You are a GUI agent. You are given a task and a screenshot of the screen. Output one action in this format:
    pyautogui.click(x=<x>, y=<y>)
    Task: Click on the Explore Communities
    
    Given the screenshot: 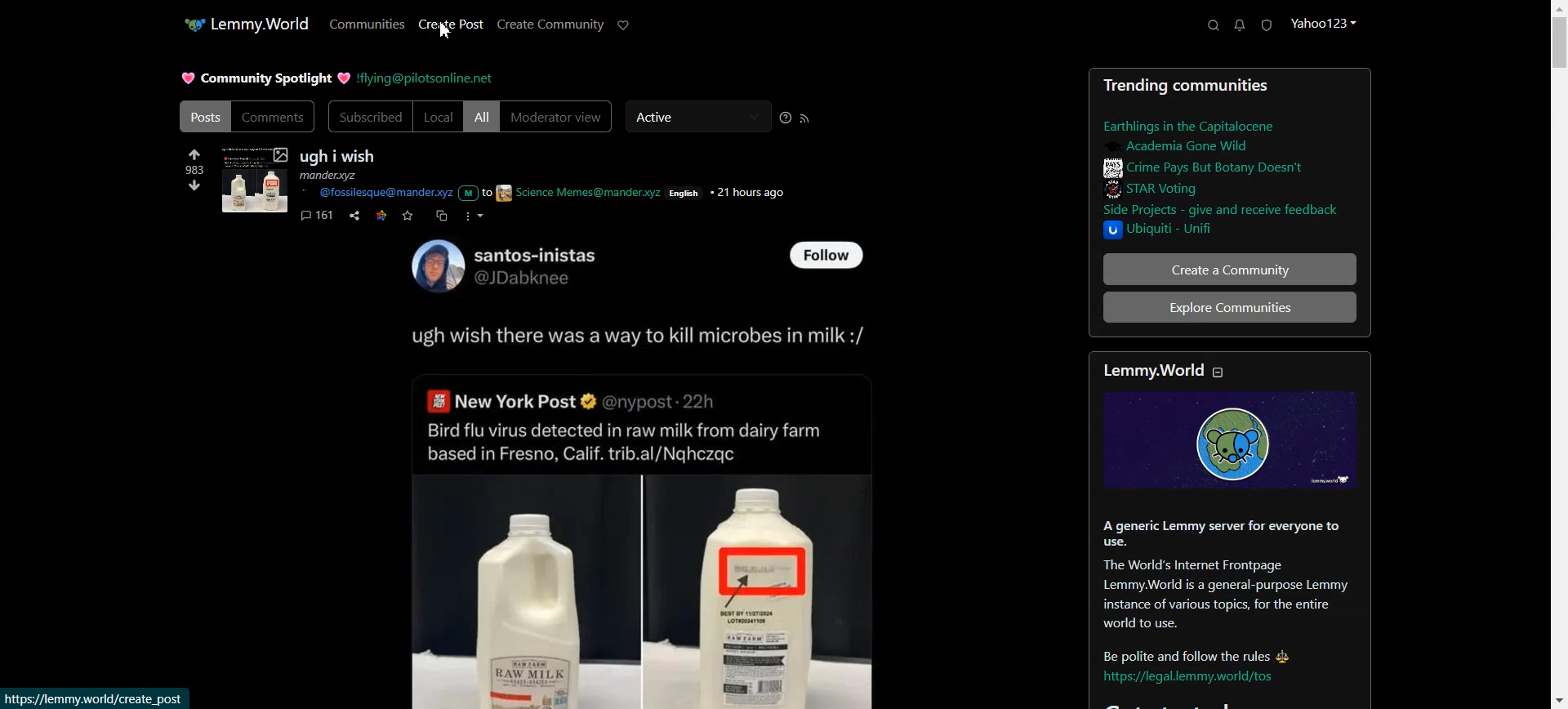 What is the action you would take?
    pyautogui.click(x=1232, y=309)
    